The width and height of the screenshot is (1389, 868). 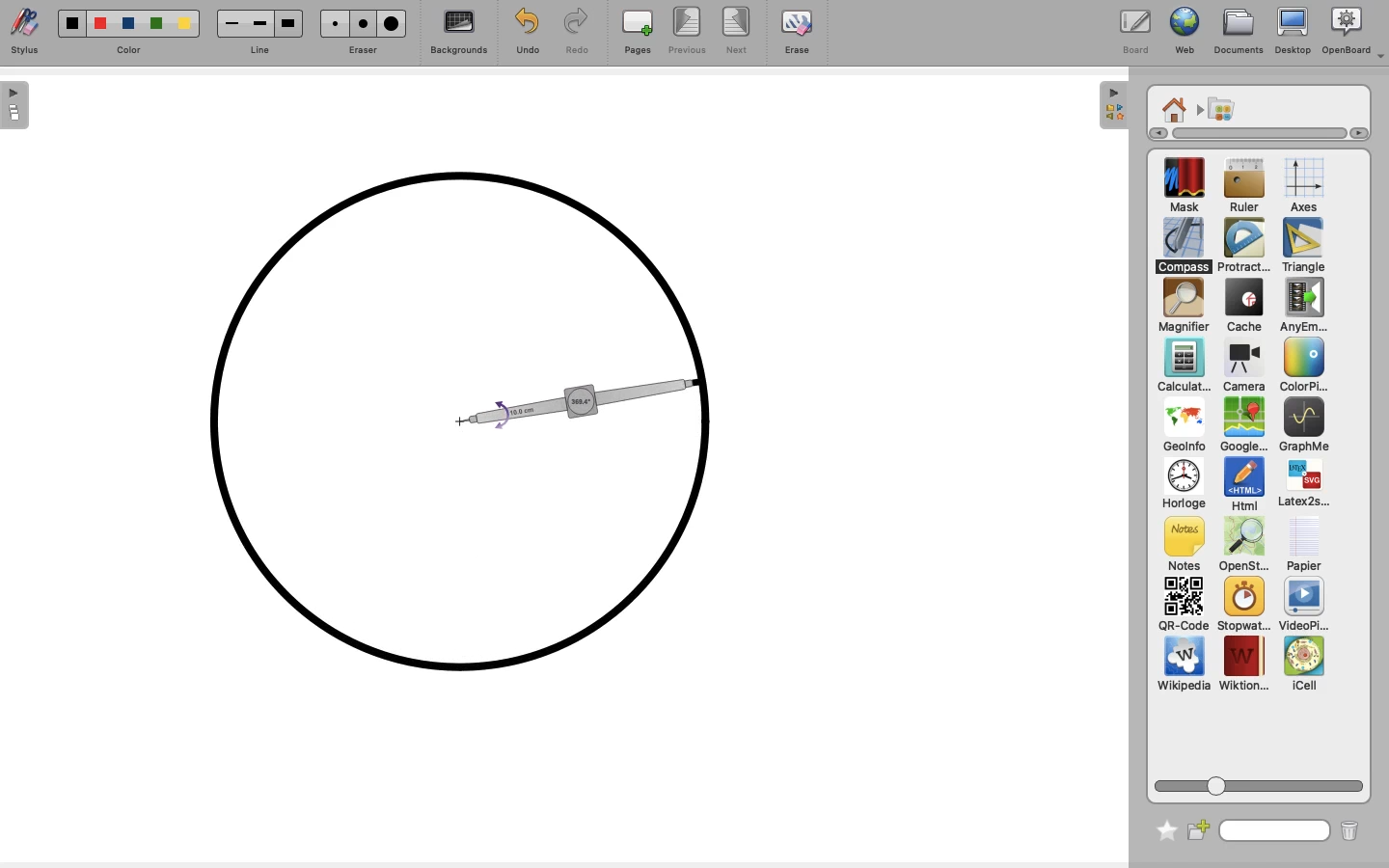 I want to click on Magnifier, so click(x=1183, y=306).